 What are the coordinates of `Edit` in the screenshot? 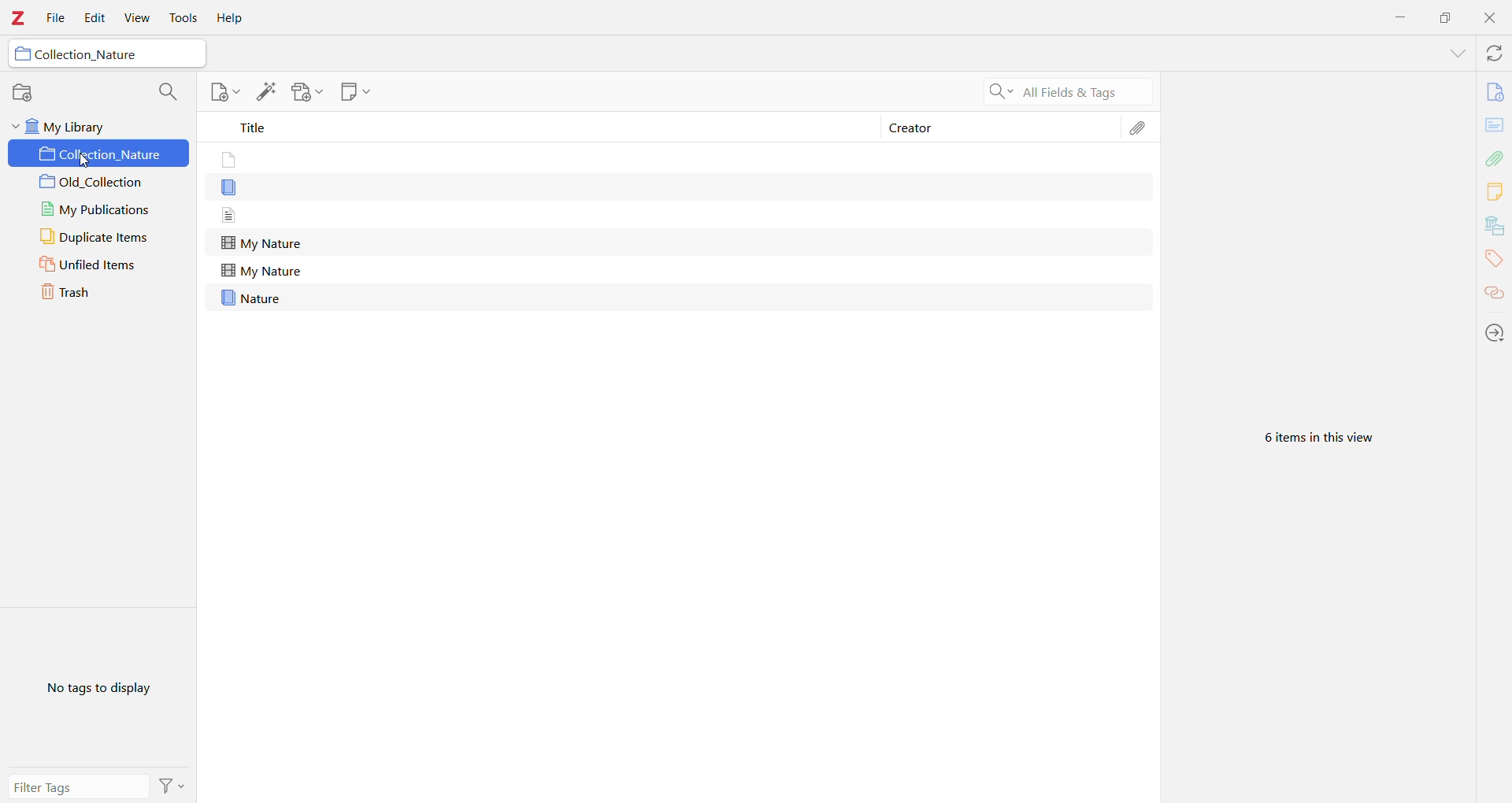 It's located at (95, 17).